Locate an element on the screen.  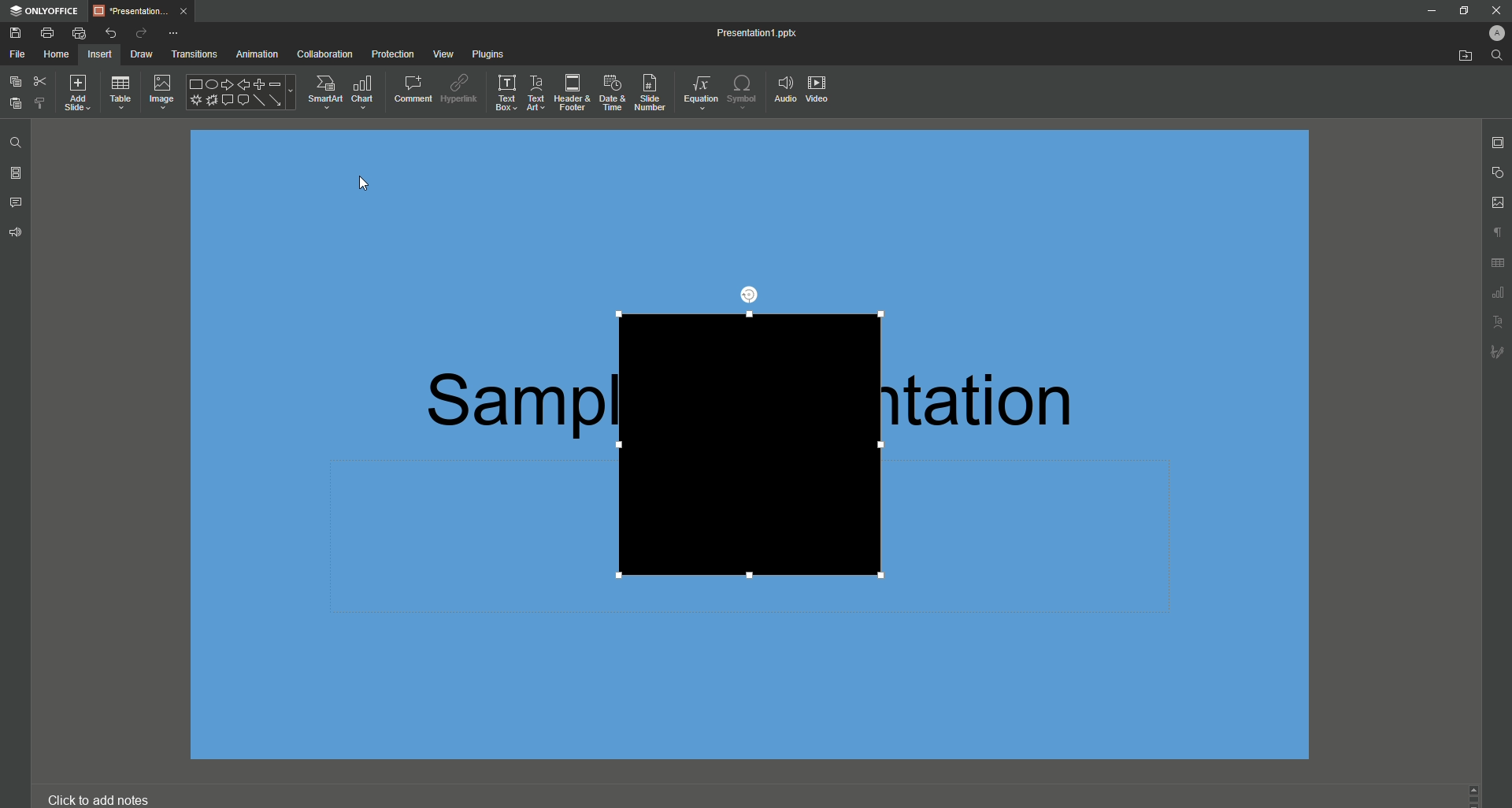
Video is located at coordinates (822, 92).